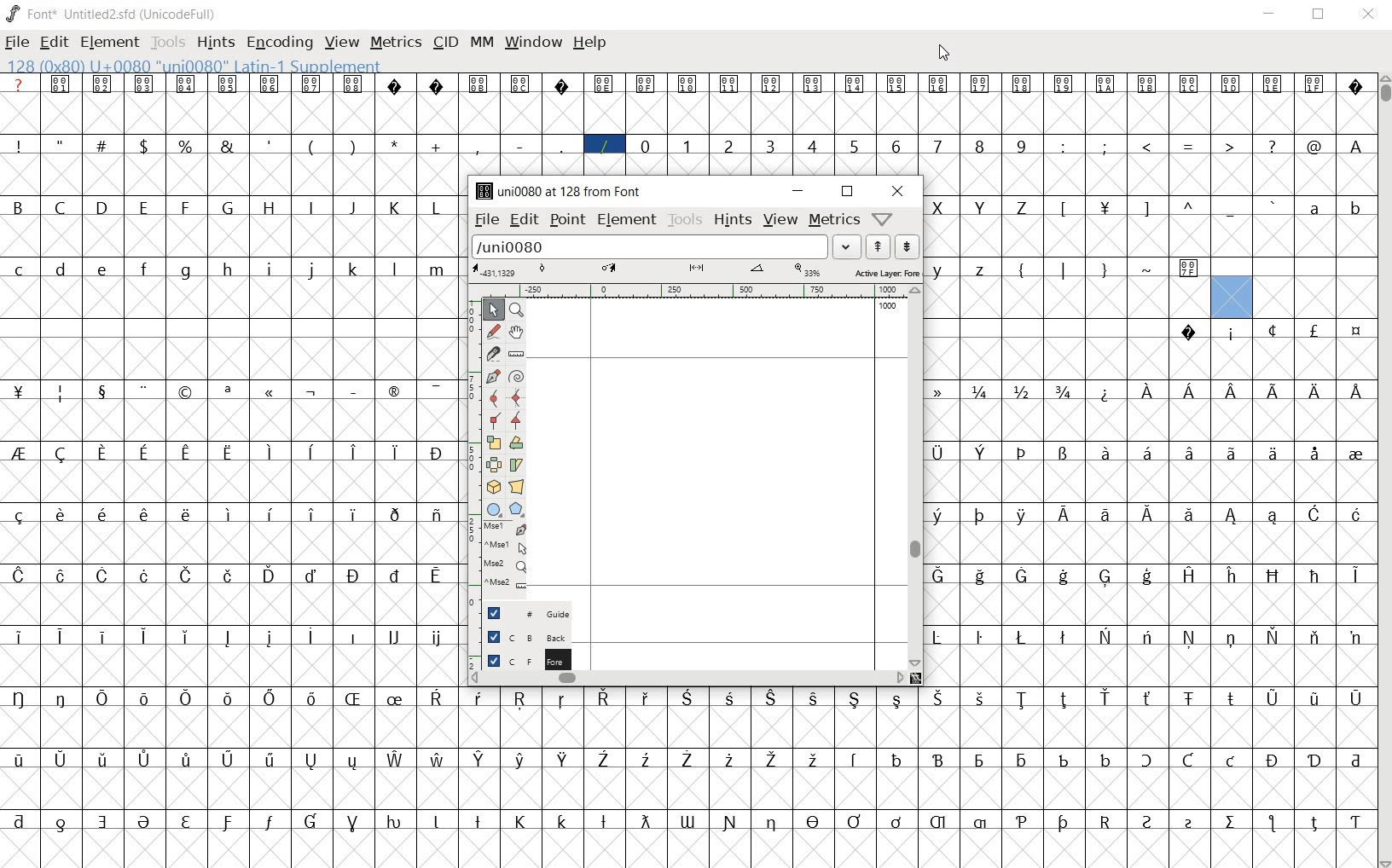 The height and width of the screenshot is (868, 1392). What do you see at coordinates (270, 514) in the screenshot?
I see `glyph` at bounding box center [270, 514].